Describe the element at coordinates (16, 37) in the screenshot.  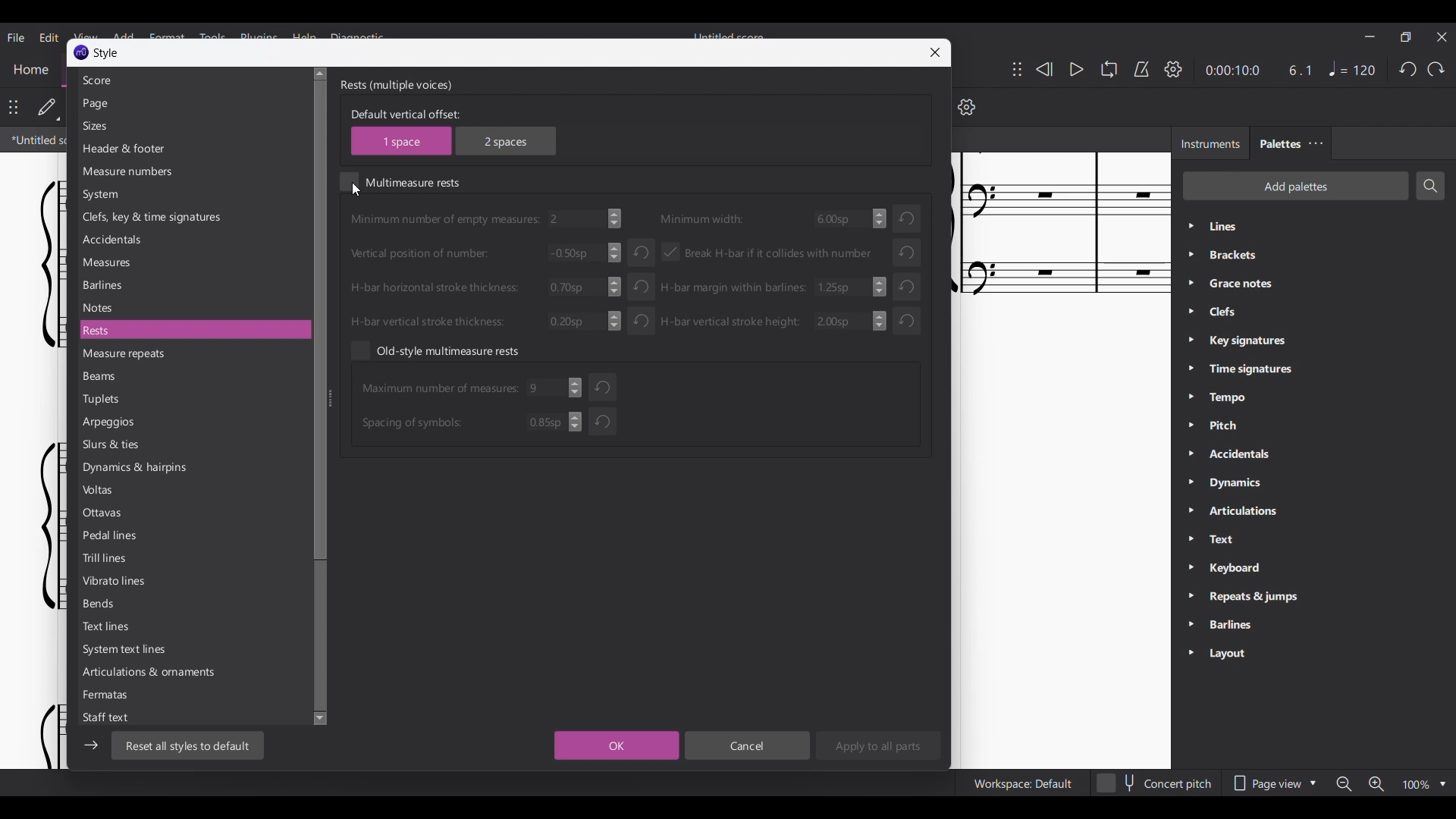
I see `File menu` at that location.